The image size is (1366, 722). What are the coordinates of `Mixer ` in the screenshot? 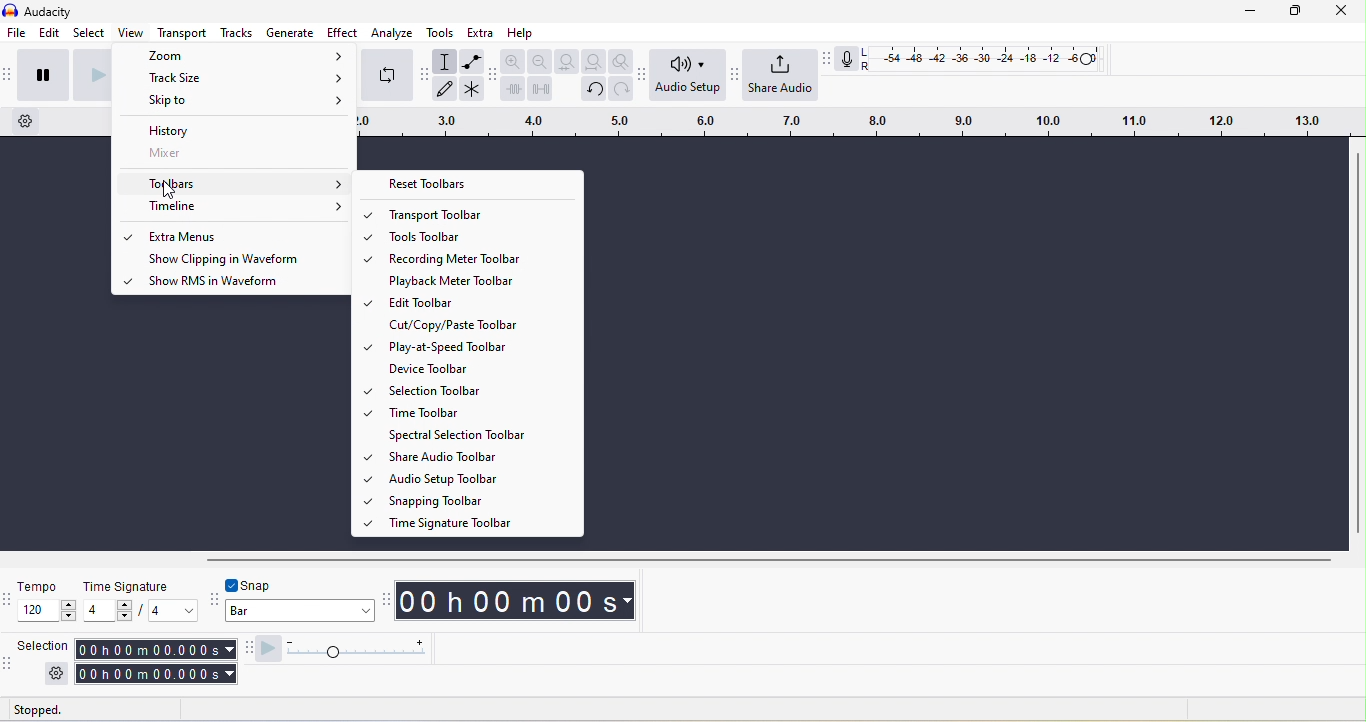 It's located at (234, 153).